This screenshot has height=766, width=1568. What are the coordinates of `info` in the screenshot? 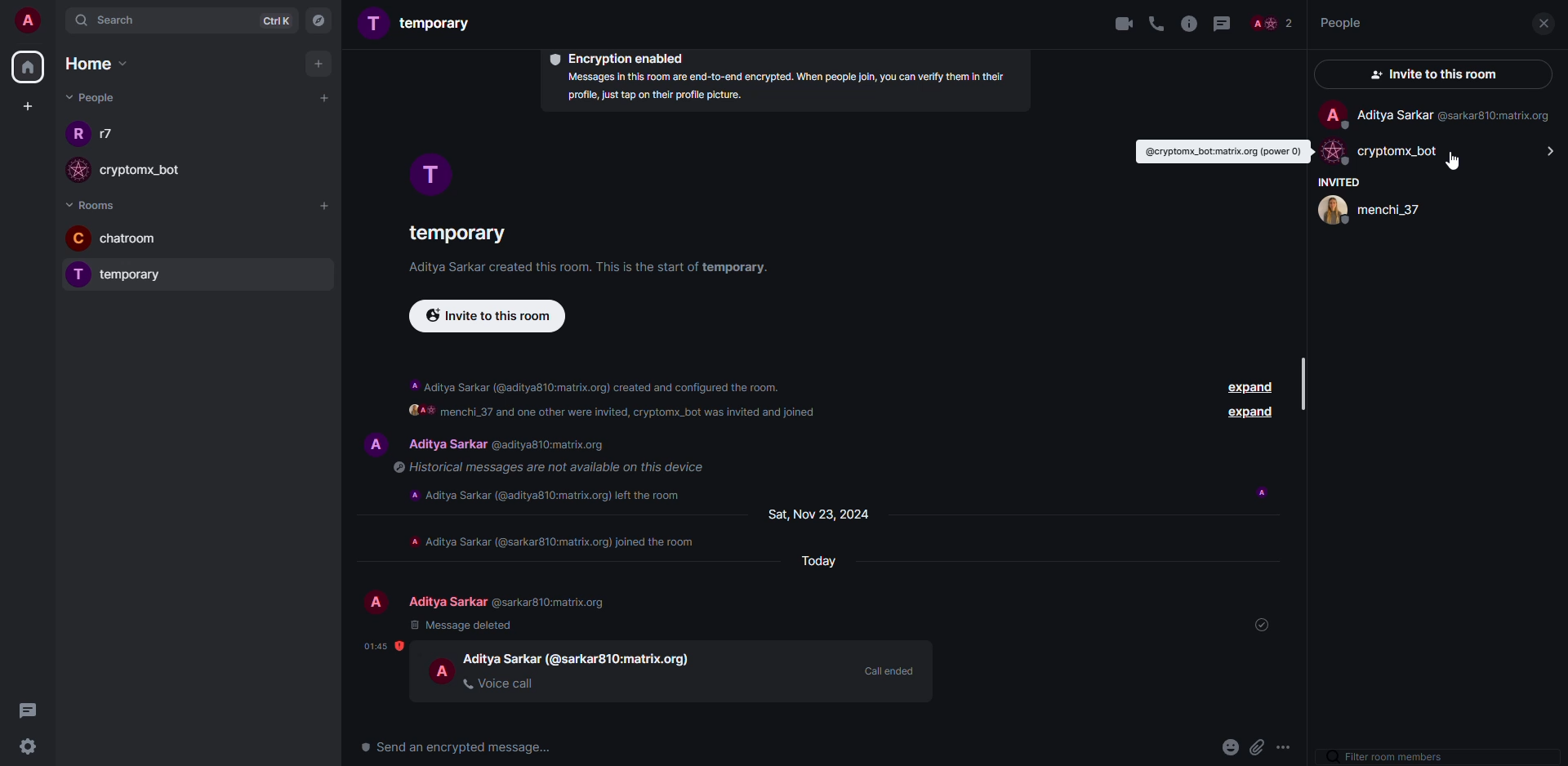 It's located at (544, 467).